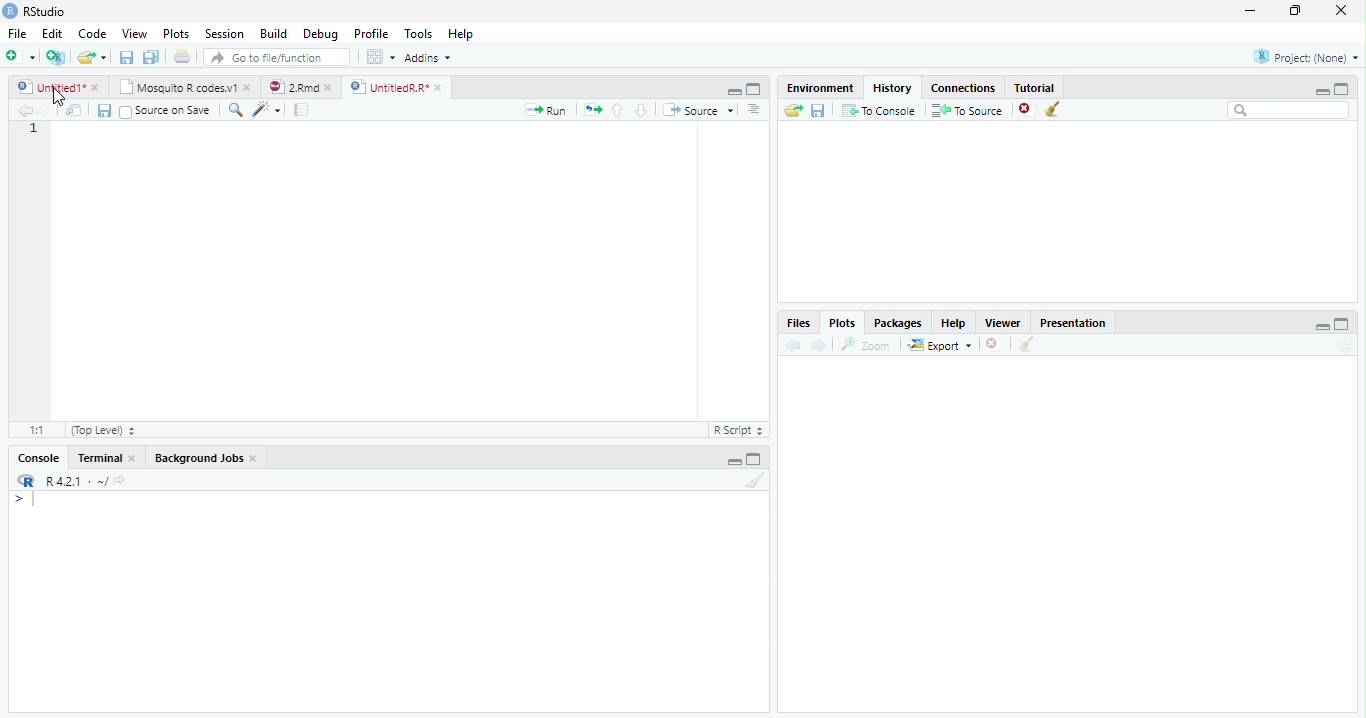 This screenshot has height=718, width=1366. What do you see at coordinates (791, 346) in the screenshot?
I see `back` at bounding box center [791, 346].